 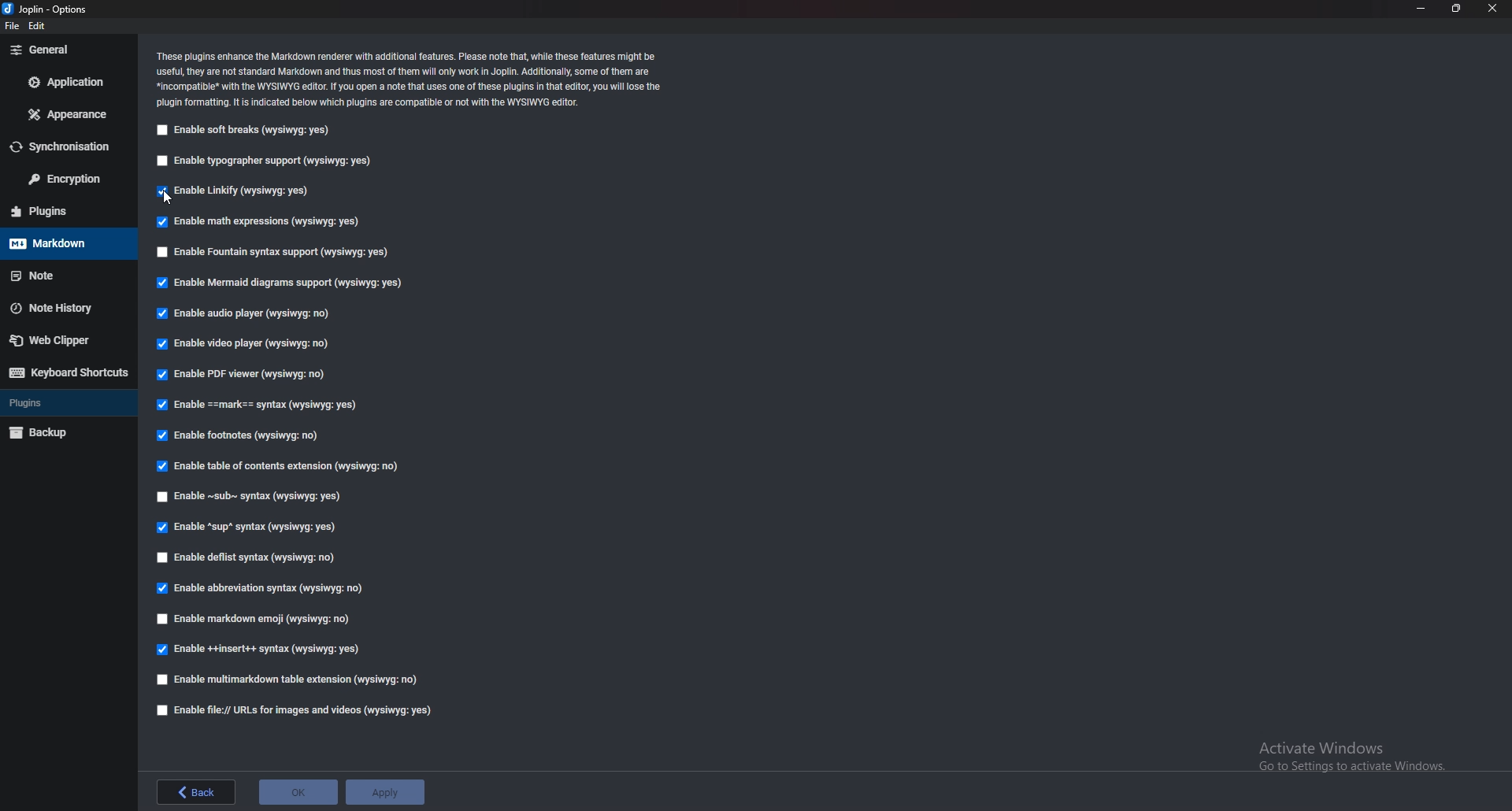 What do you see at coordinates (247, 498) in the screenshot?
I see `enable Sub syntax` at bounding box center [247, 498].